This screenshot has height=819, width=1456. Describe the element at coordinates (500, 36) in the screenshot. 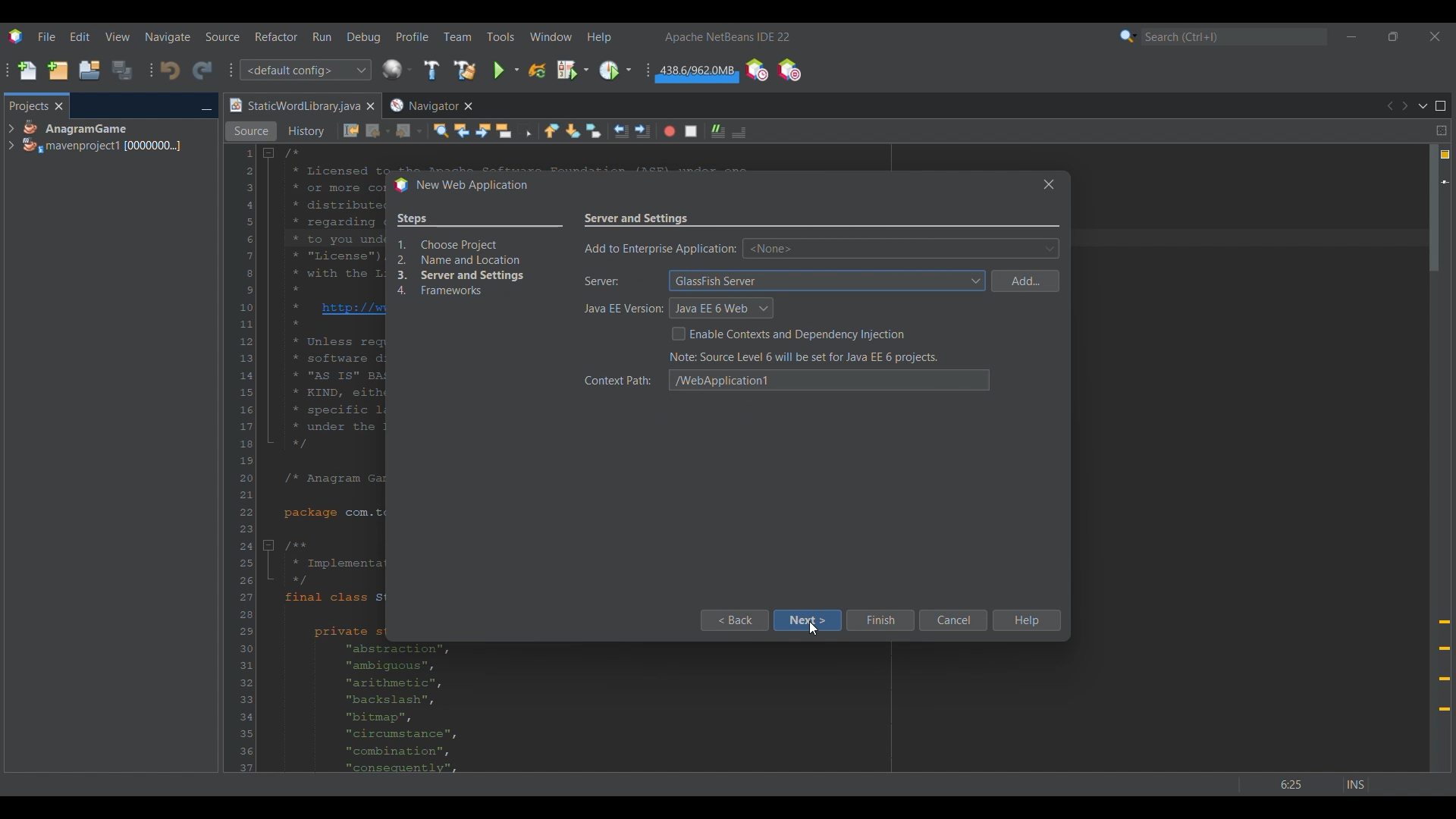

I see `Tools menu` at that location.